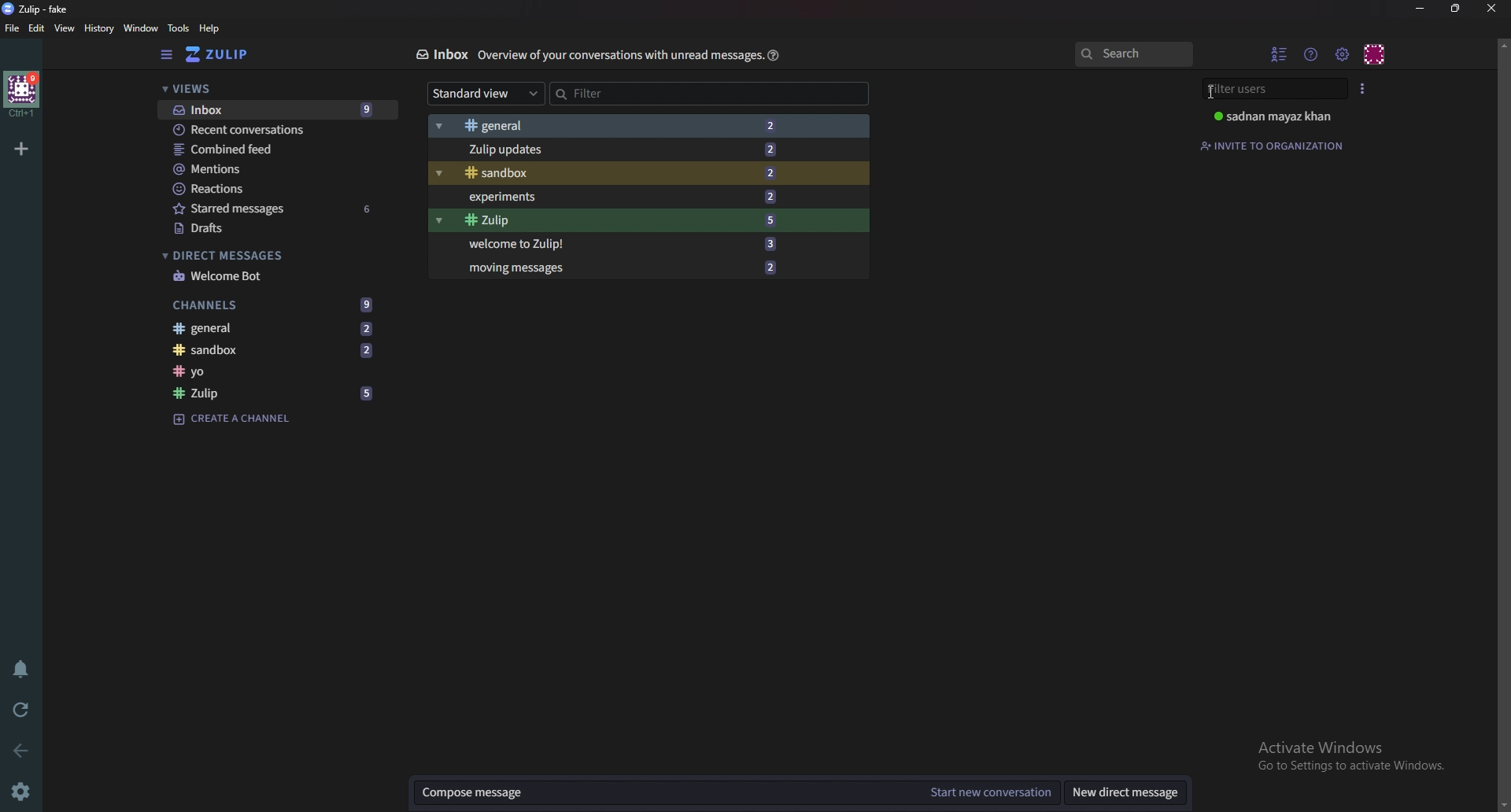 The height and width of the screenshot is (812, 1511). I want to click on Info, so click(619, 57).